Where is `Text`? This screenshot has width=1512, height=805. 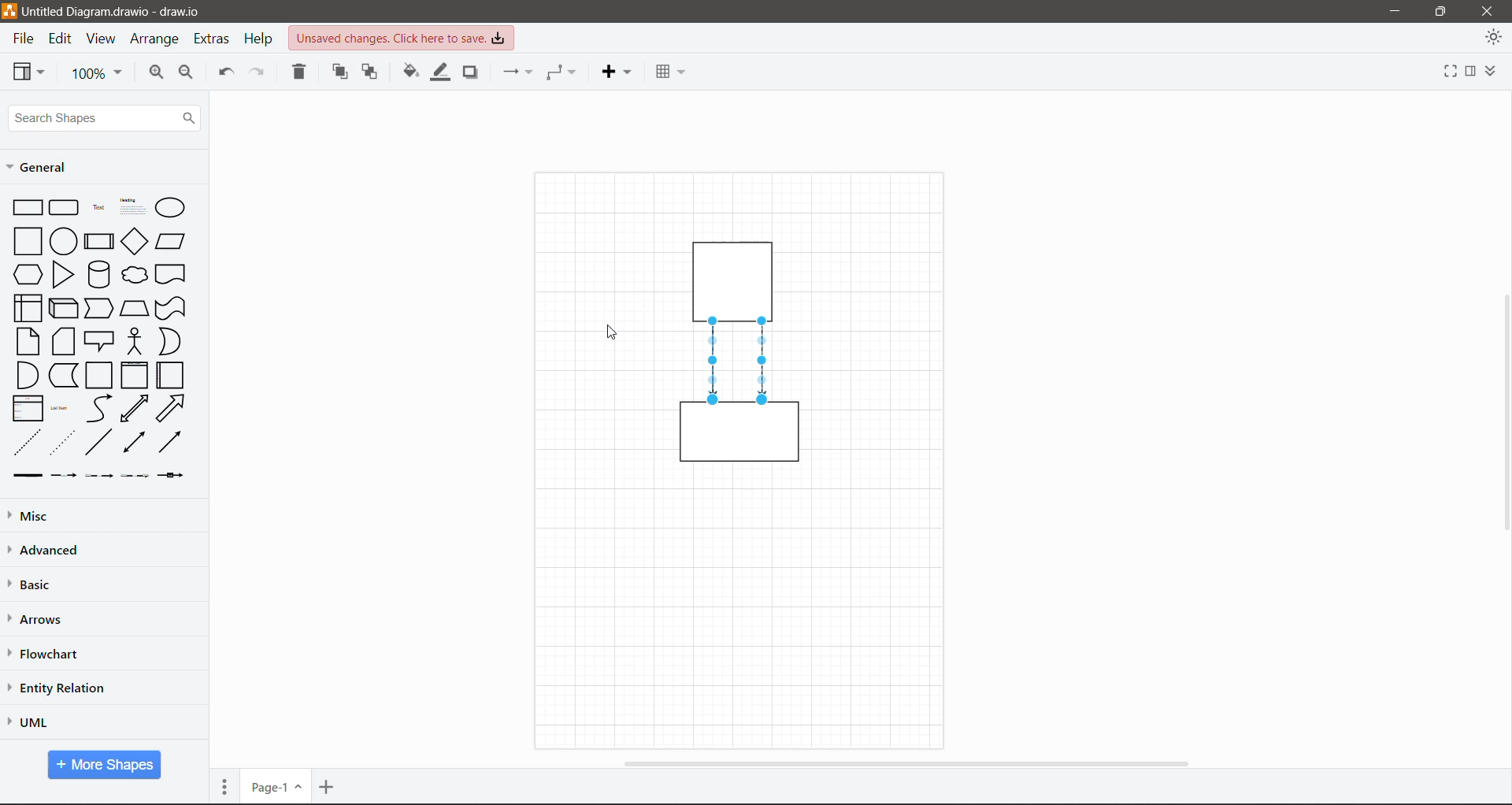
Text is located at coordinates (98, 206).